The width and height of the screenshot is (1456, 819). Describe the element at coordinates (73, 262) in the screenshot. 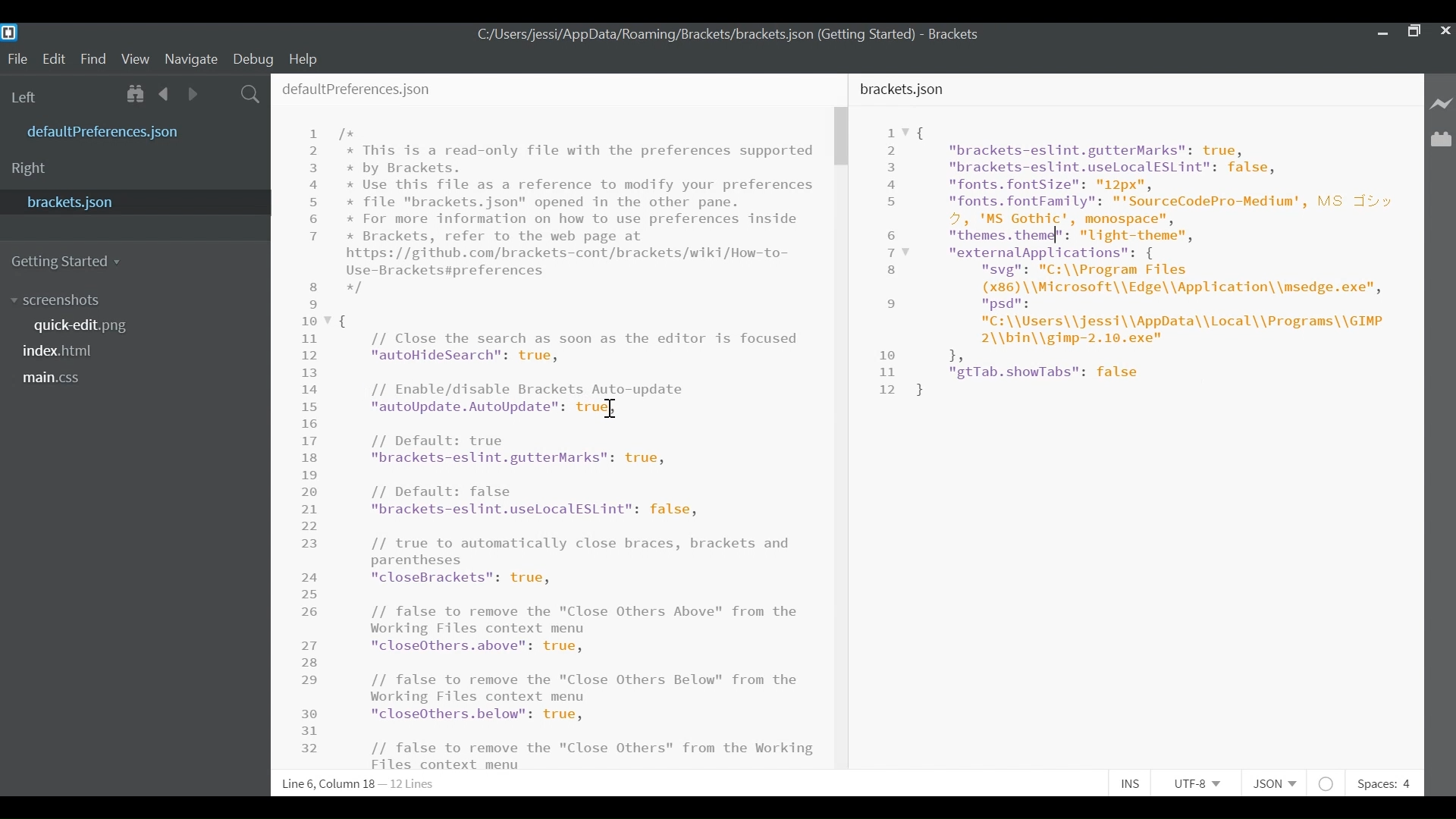

I see `Getting Started` at that location.